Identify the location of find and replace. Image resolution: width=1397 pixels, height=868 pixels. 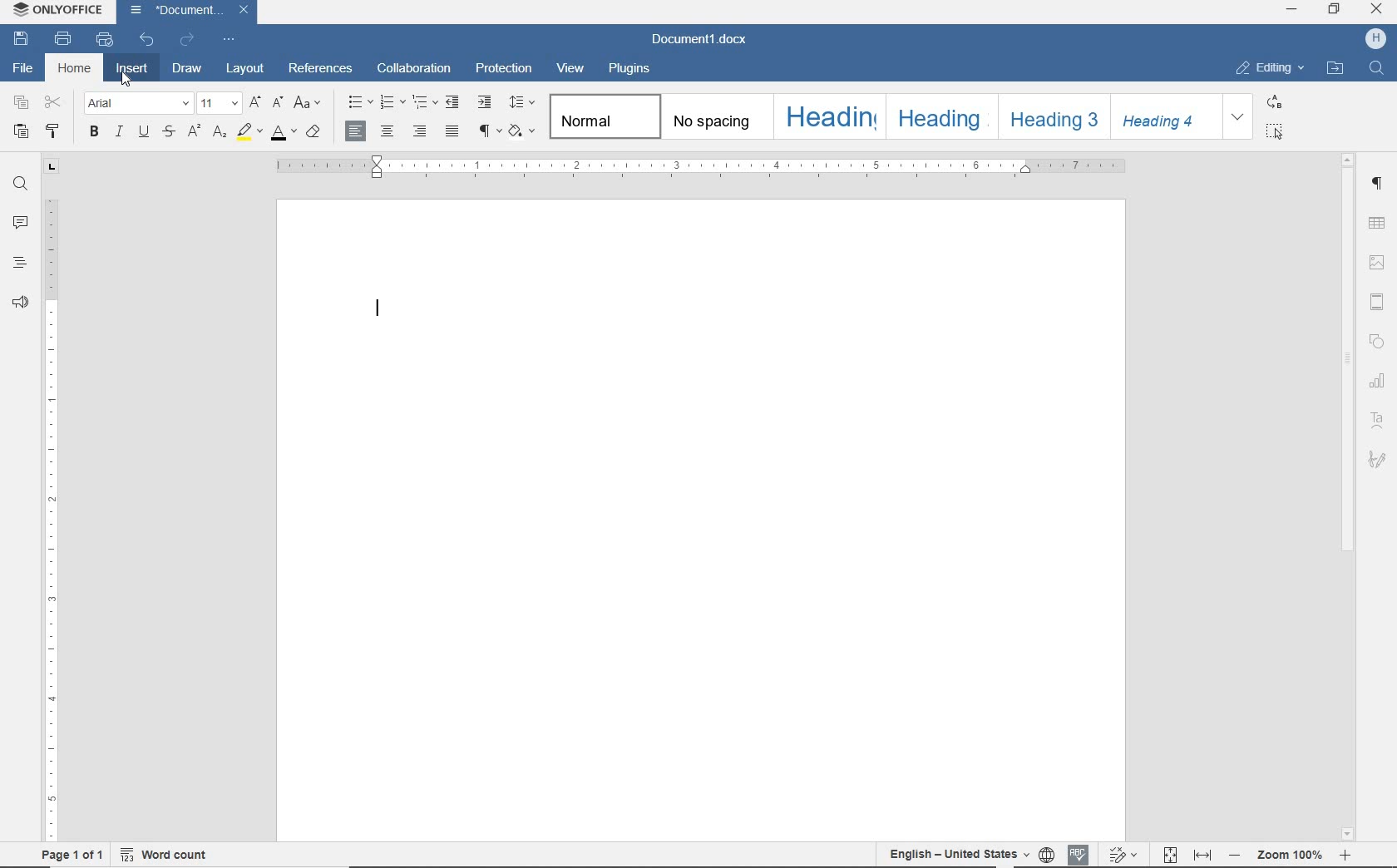
(23, 184).